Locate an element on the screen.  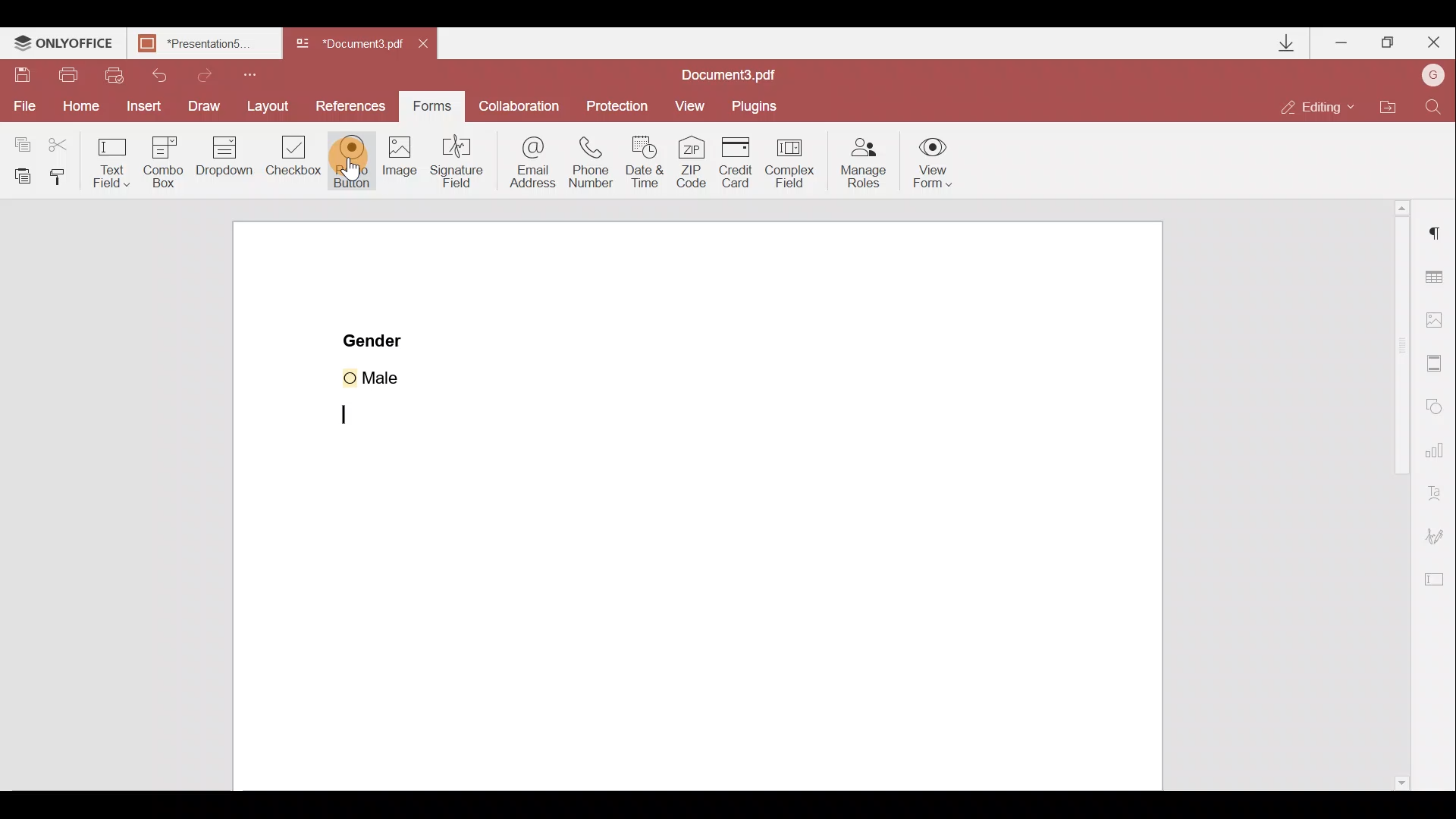
Print file is located at coordinates (70, 74).